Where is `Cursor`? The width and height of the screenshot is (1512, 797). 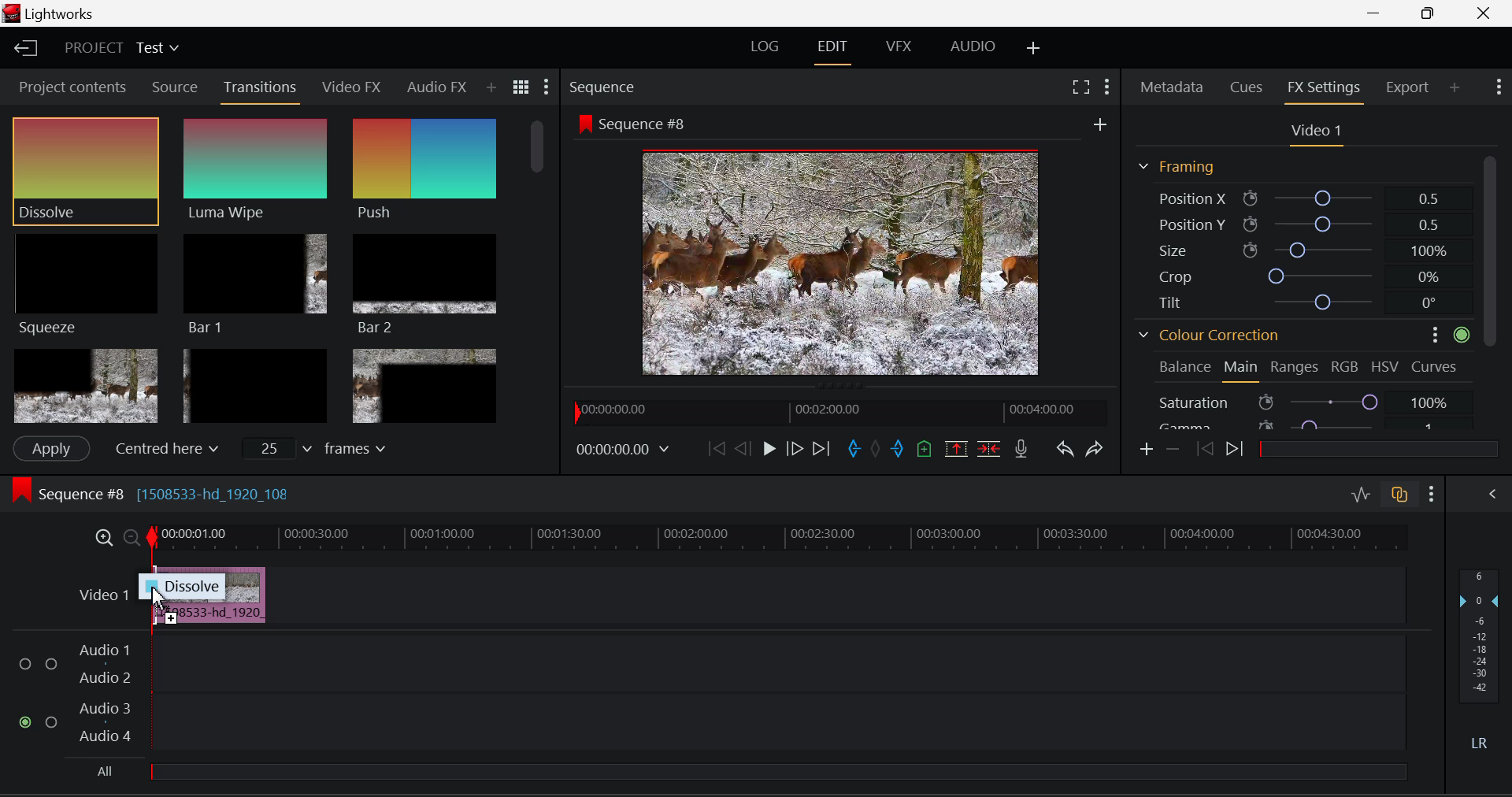 Cursor is located at coordinates (116, 169).